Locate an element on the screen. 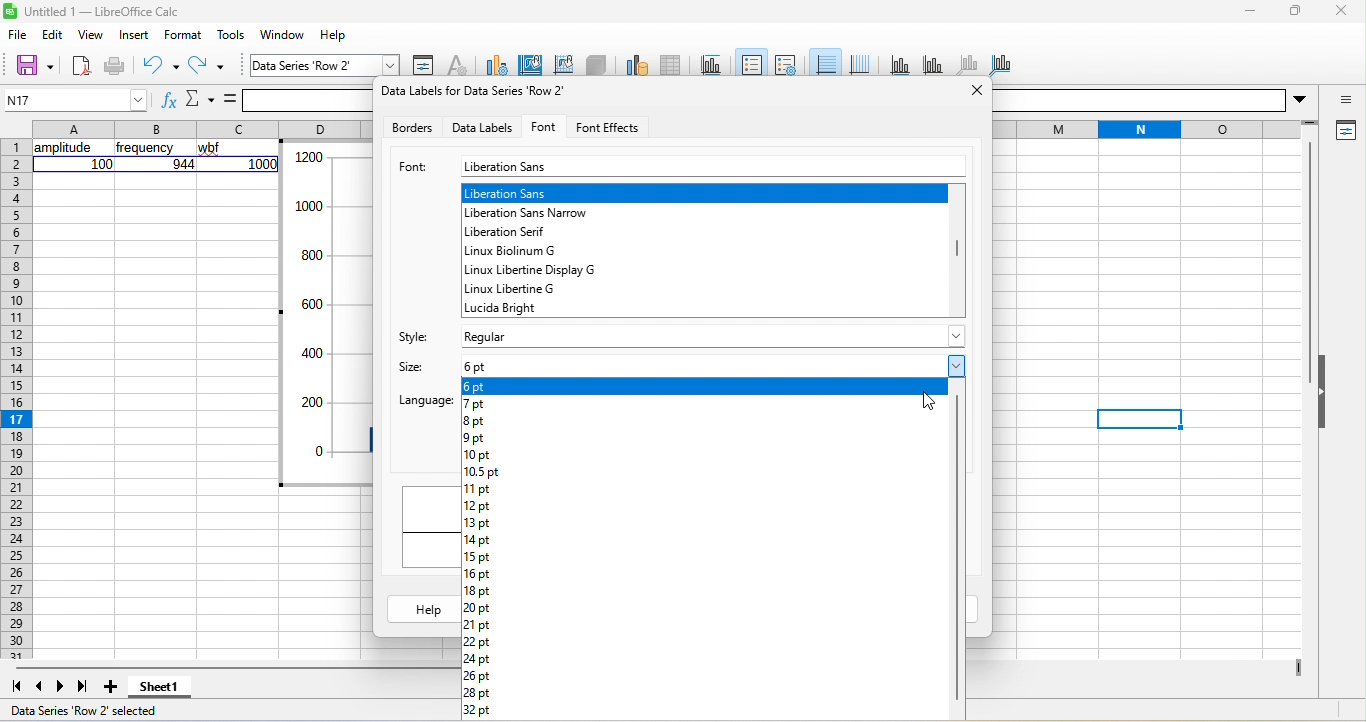  11 pt is located at coordinates (477, 489).